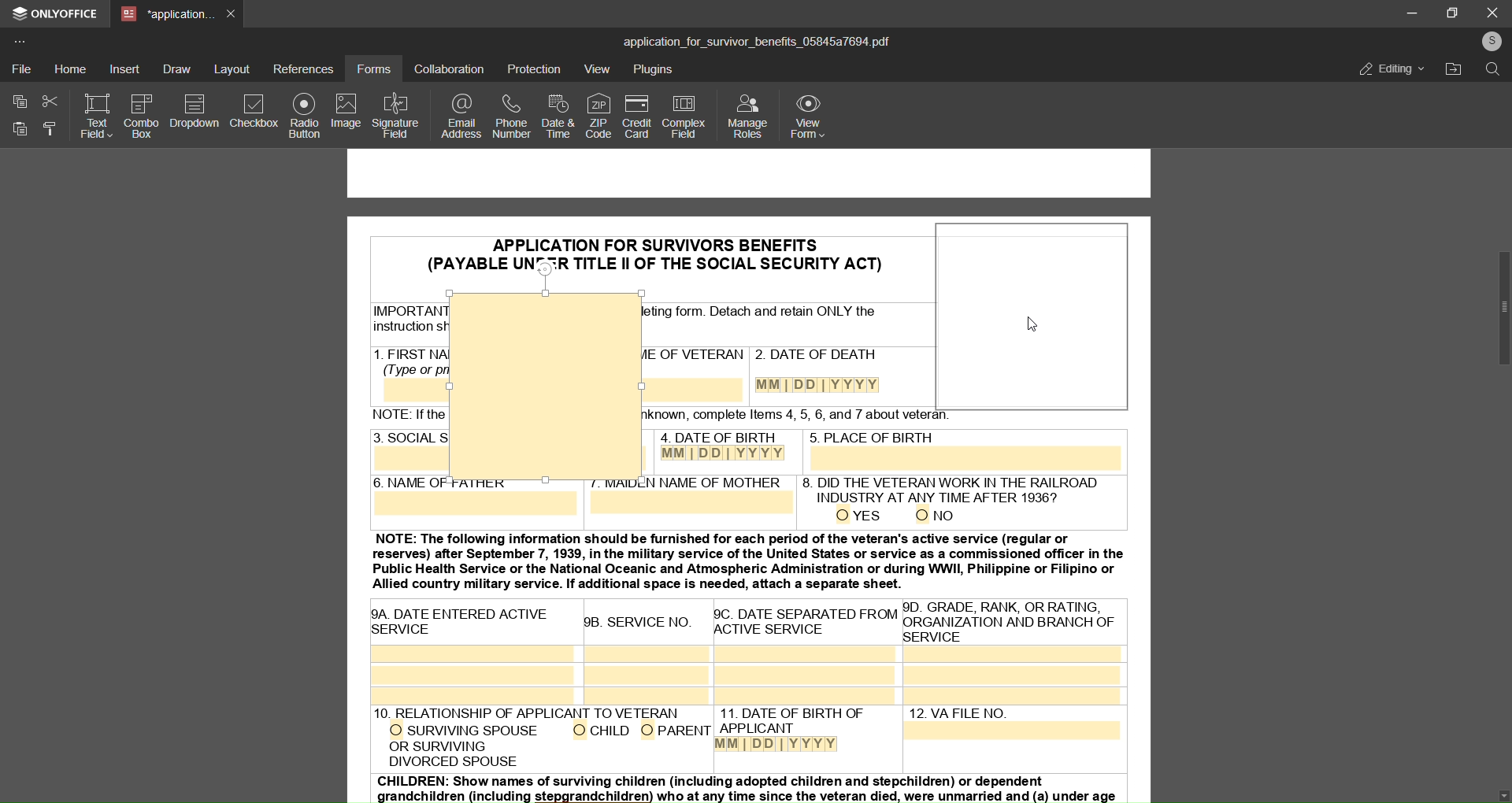  Describe the element at coordinates (682, 118) in the screenshot. I see `complex field` at that location.